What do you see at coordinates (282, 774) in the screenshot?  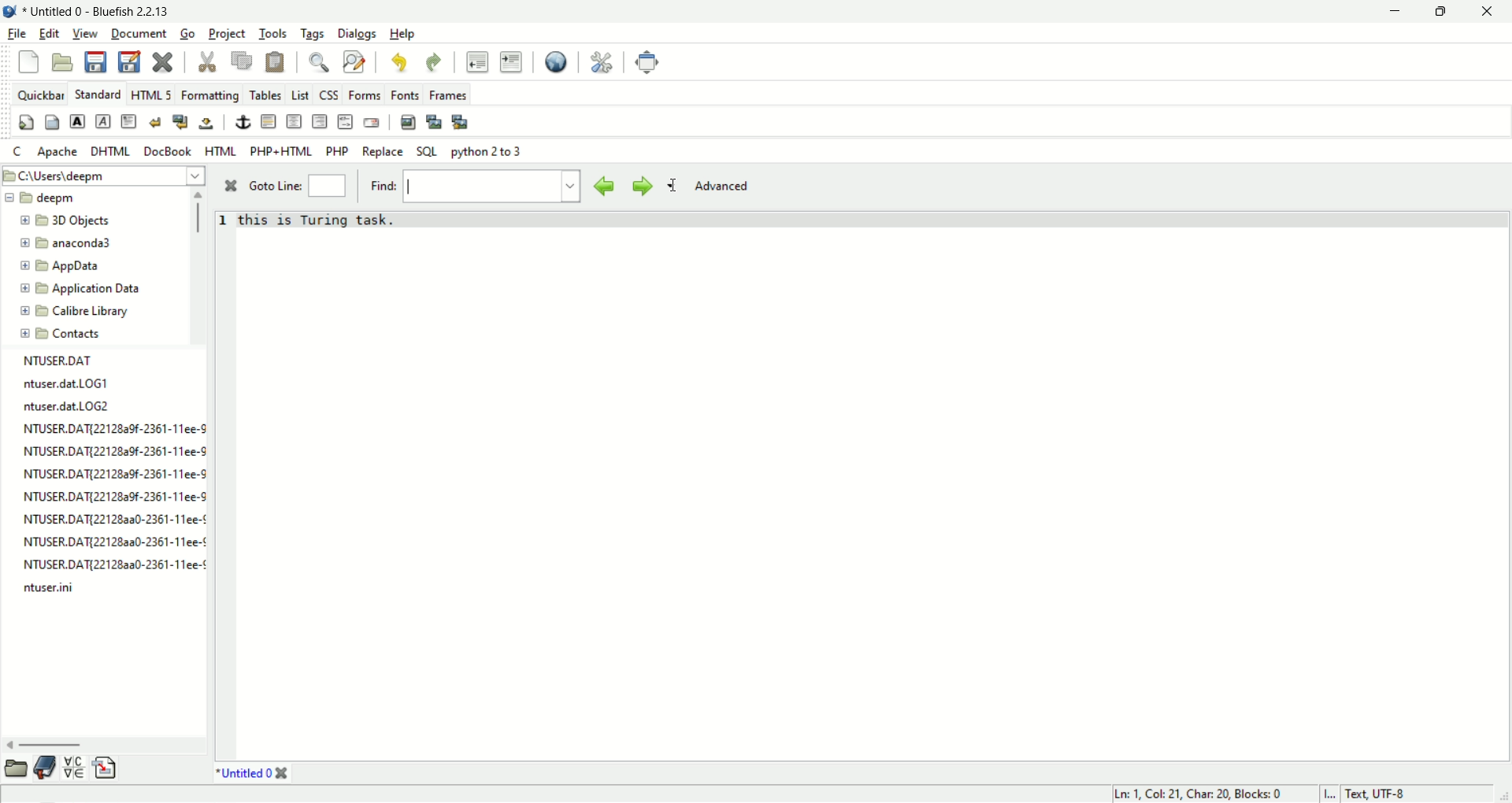 I see `close` at bounding box center [282, 774].